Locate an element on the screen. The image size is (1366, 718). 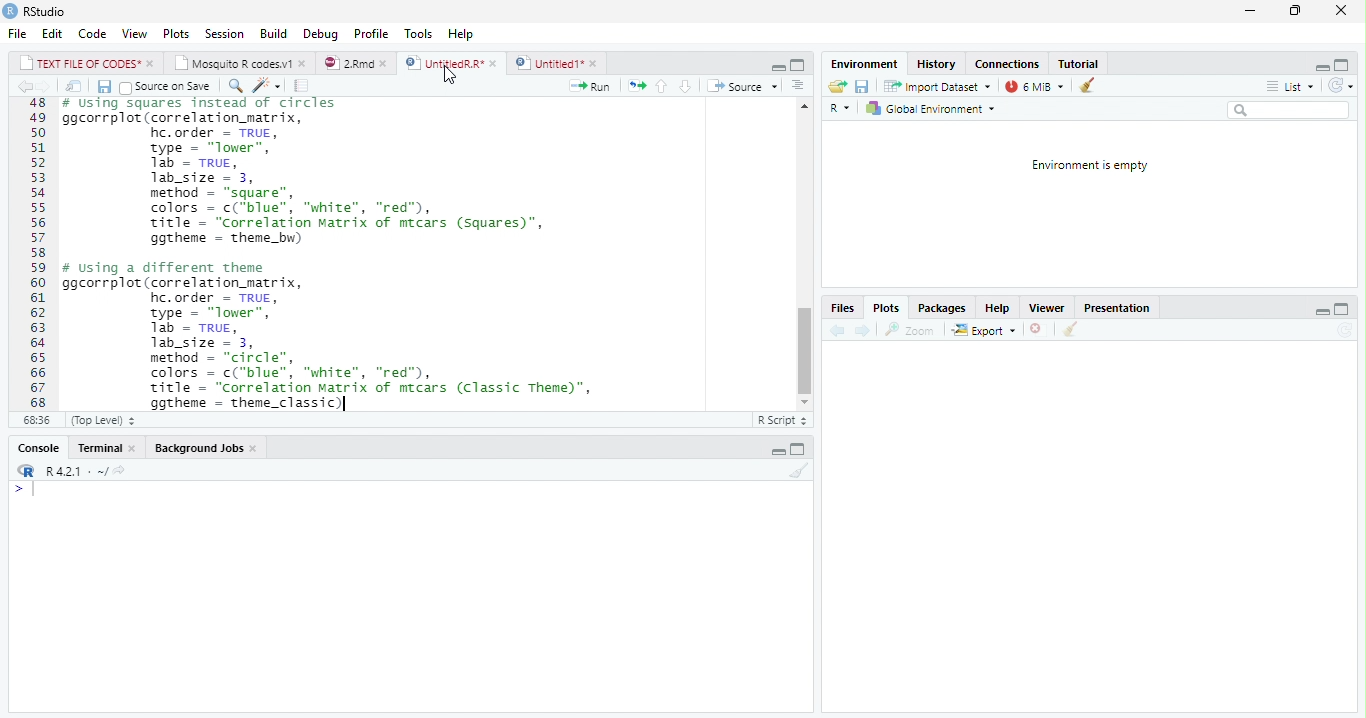
R is located at coordinates (838, 107).